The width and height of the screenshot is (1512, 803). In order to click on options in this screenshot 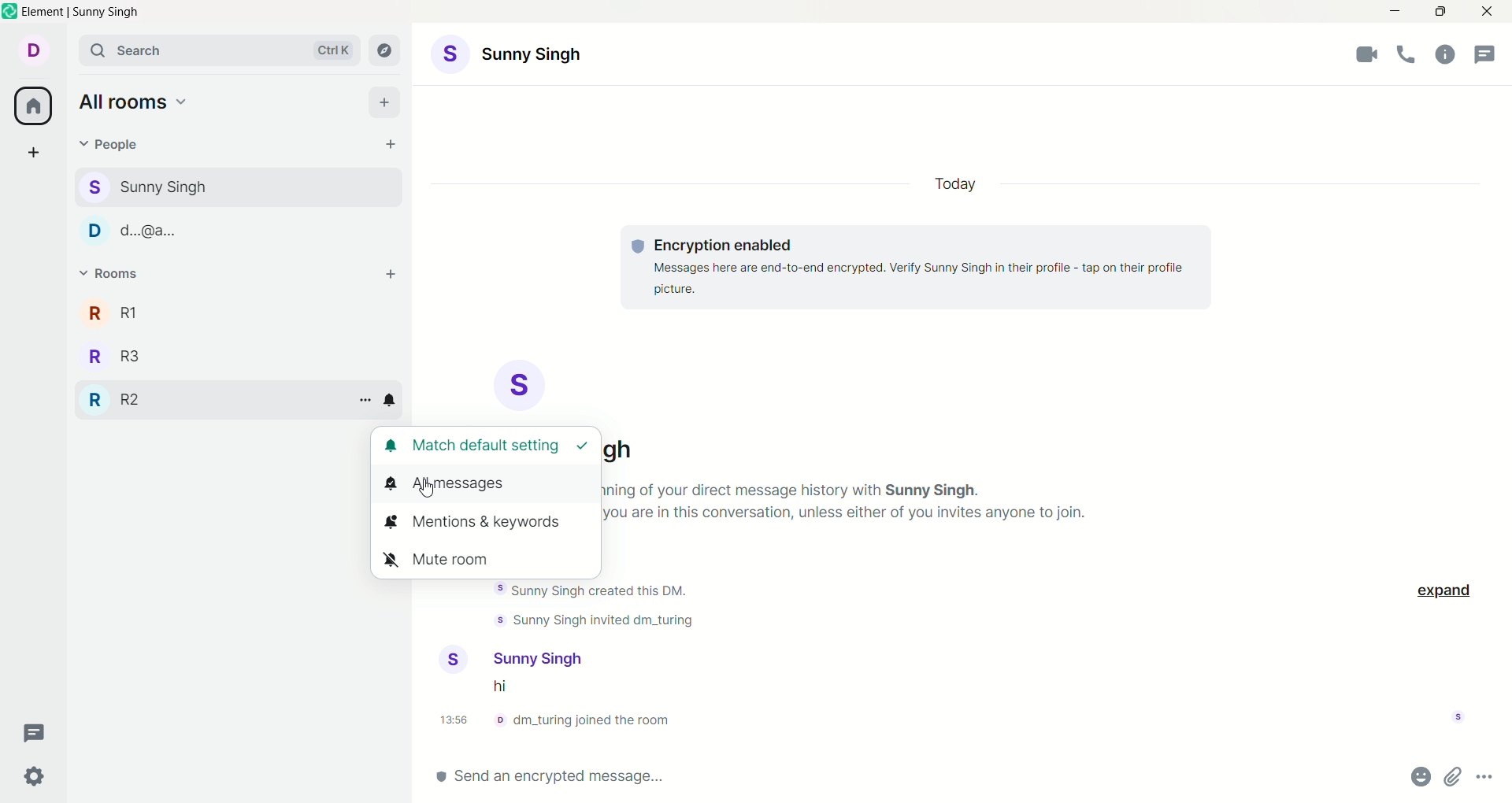, I will do `click(1485, 777)`.